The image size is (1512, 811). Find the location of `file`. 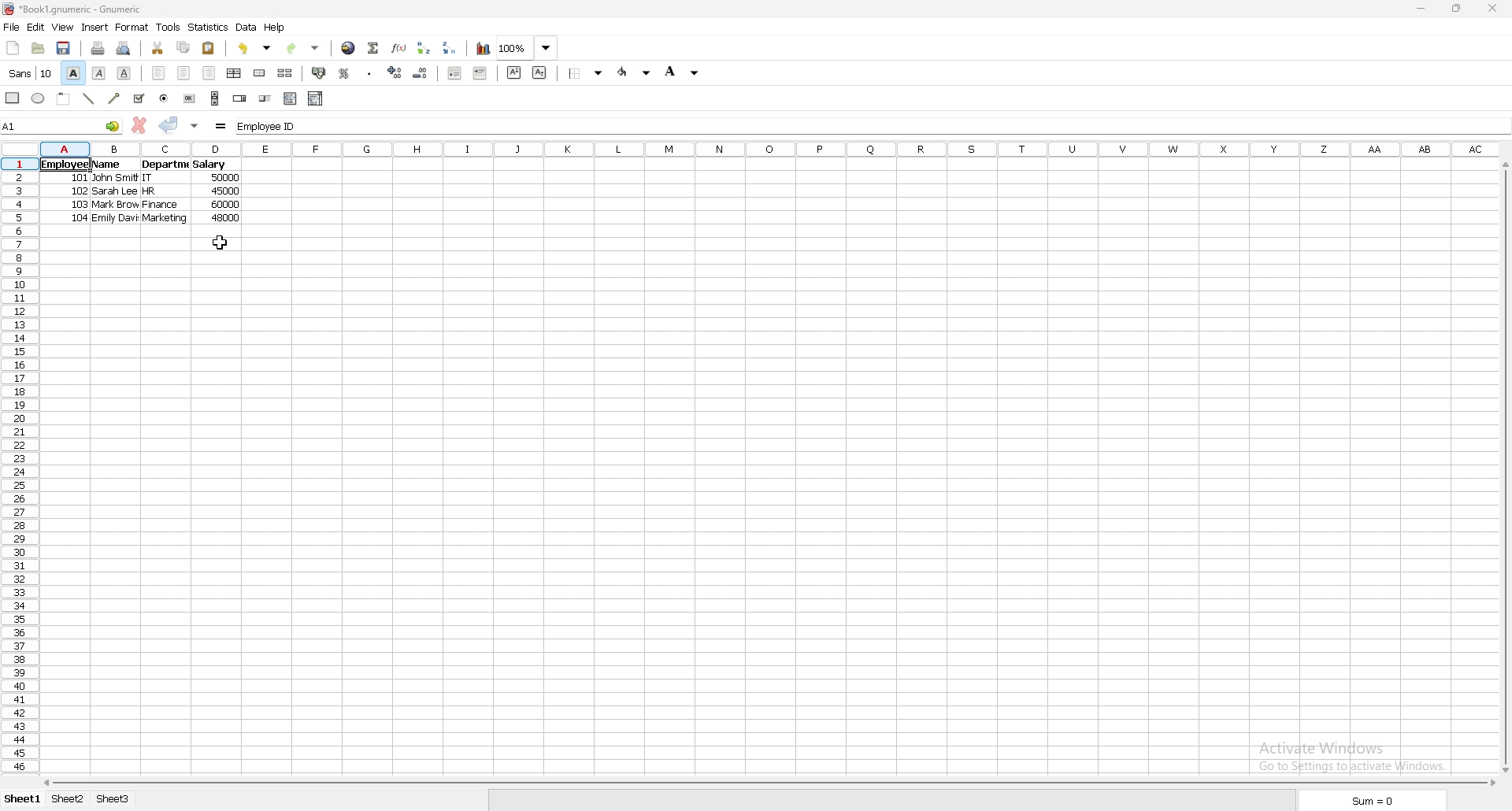

file is located at coordinates (11, 26).